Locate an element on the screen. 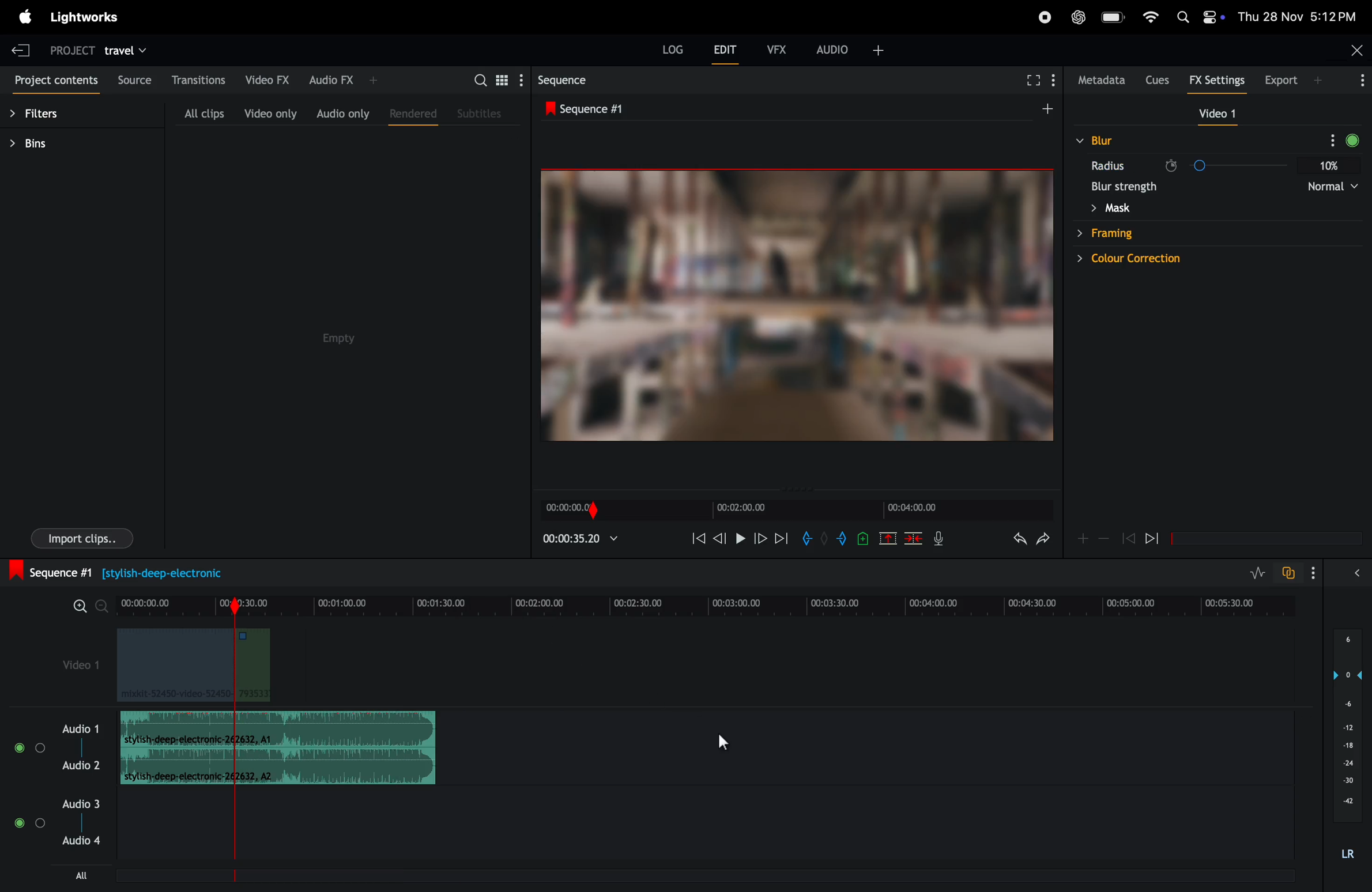 The width and height of the screenshot is (1372, 892). Audio 4 is located at coordinates (81, 841).